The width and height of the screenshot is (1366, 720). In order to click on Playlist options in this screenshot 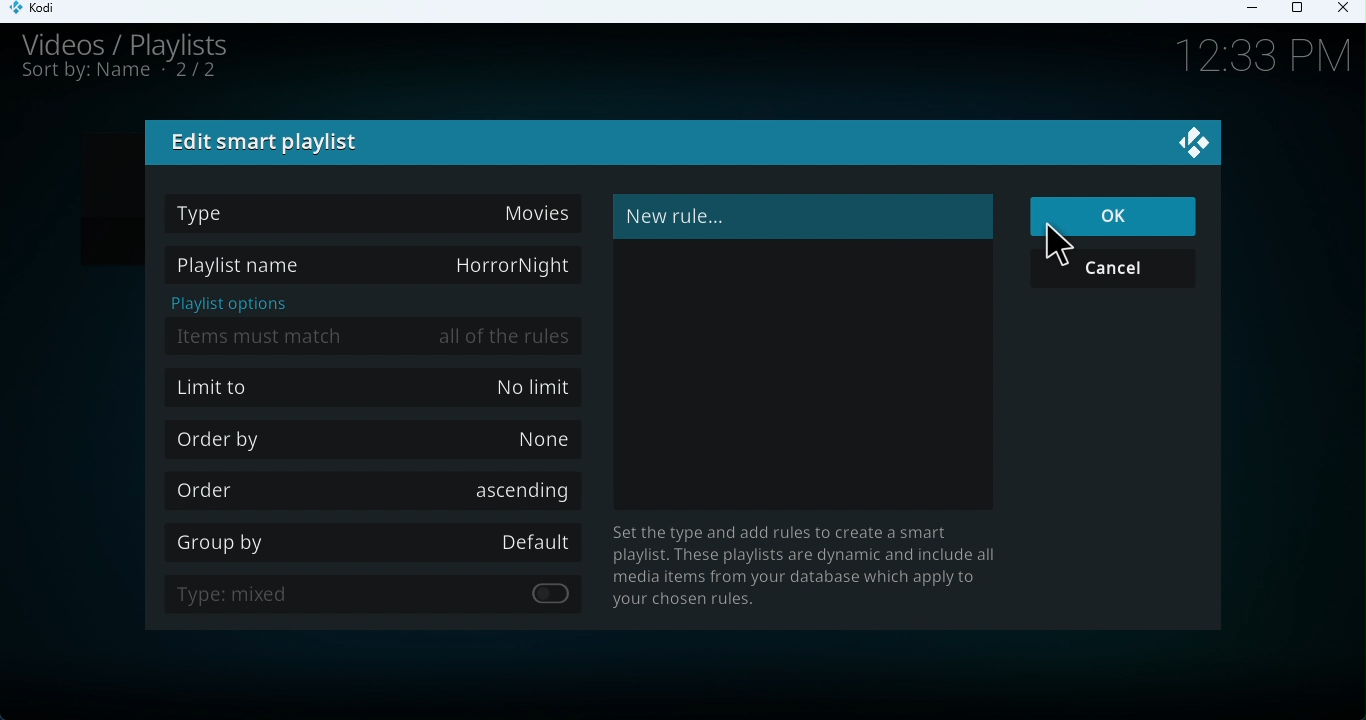, I will do `click(233, 304)`.